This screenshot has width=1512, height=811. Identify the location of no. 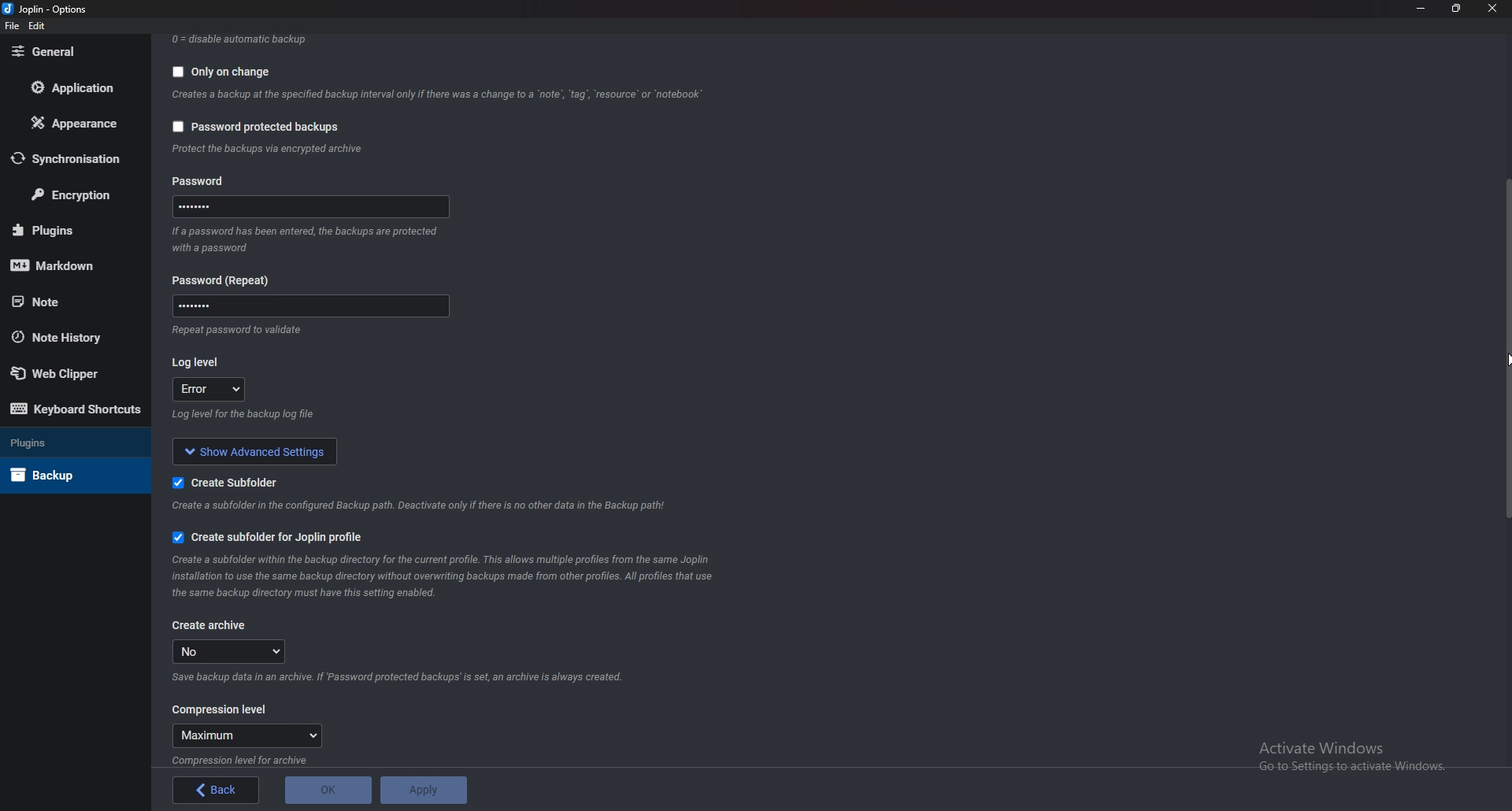
(233, 651).